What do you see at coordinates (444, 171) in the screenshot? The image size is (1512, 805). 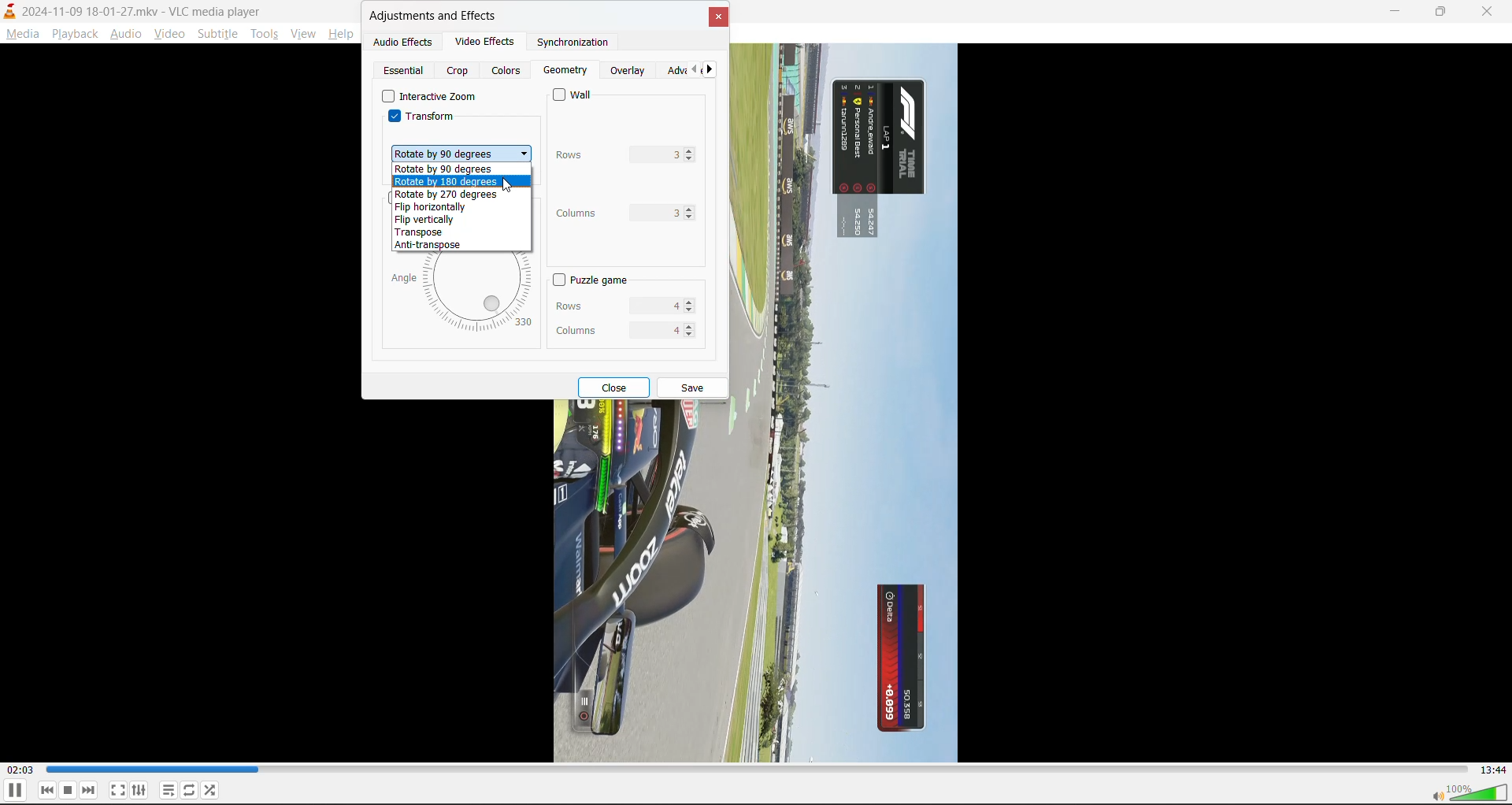 I see `rotate 90 degress` at bounding box center [444, 171].